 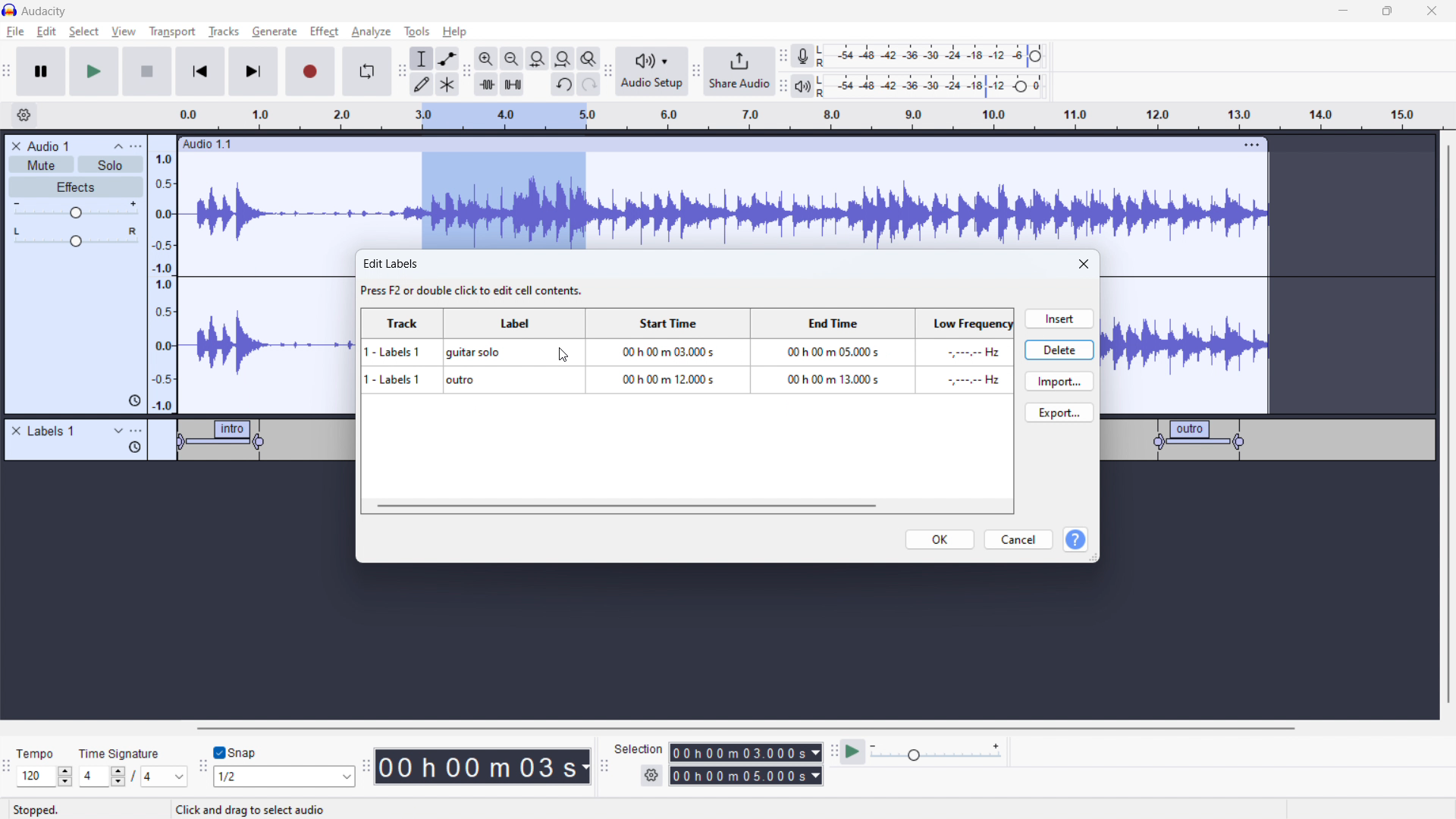 What do you see at coordinates (224, 442) in the screenshot?
I see `label 1` at bounding box center [224, 442].